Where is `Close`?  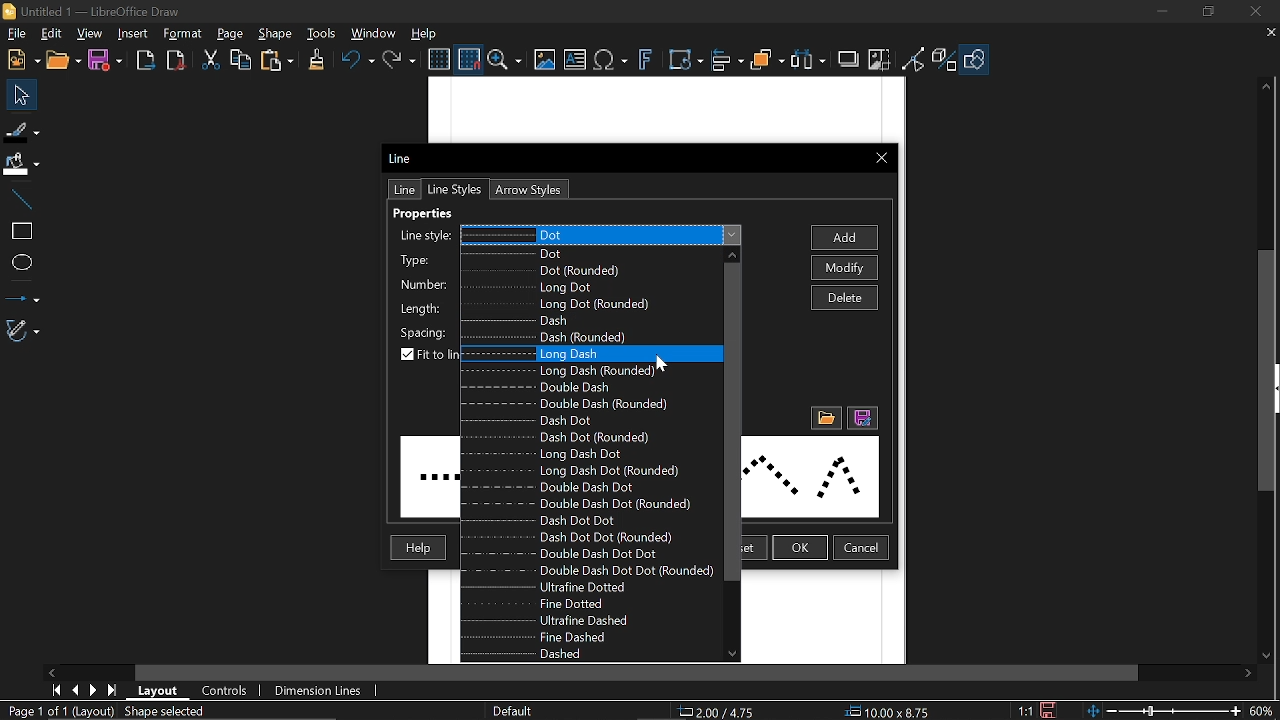
Close is located at coordinates (881, 160).